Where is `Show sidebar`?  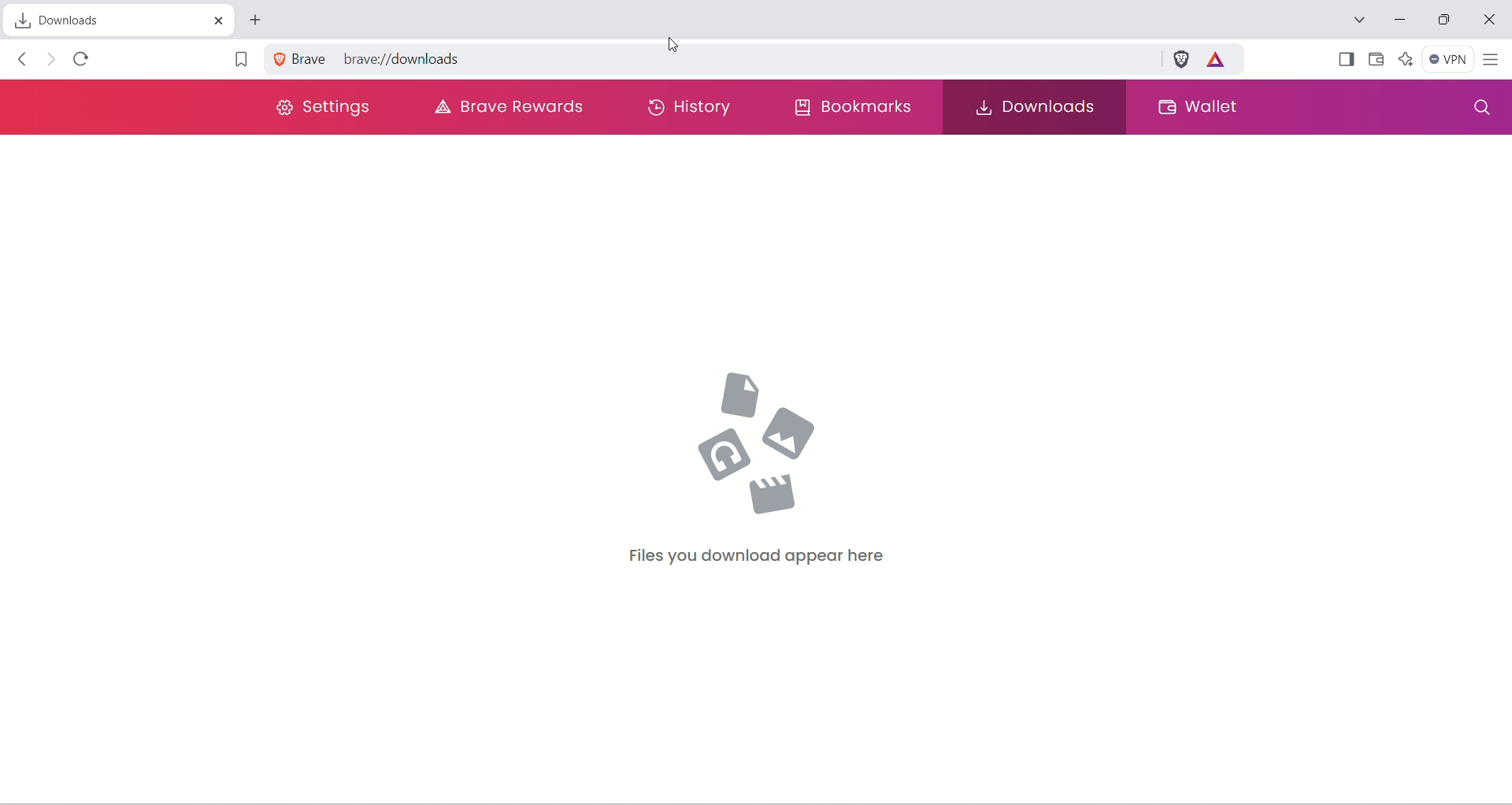
Show sidebar is located at coordinates (1345, 61).